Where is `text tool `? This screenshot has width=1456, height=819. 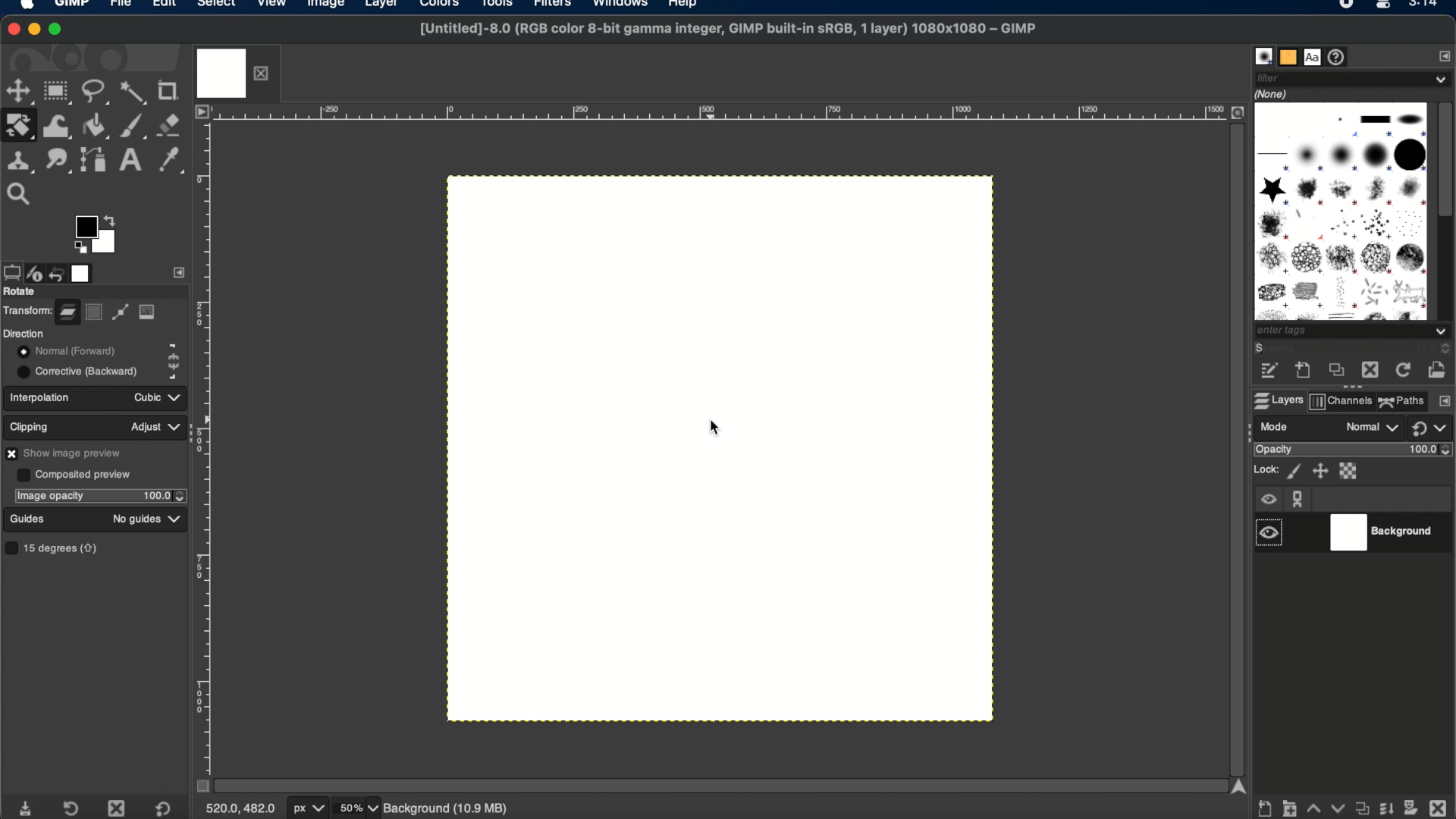
text tool  is located at coordinates (130, 160).